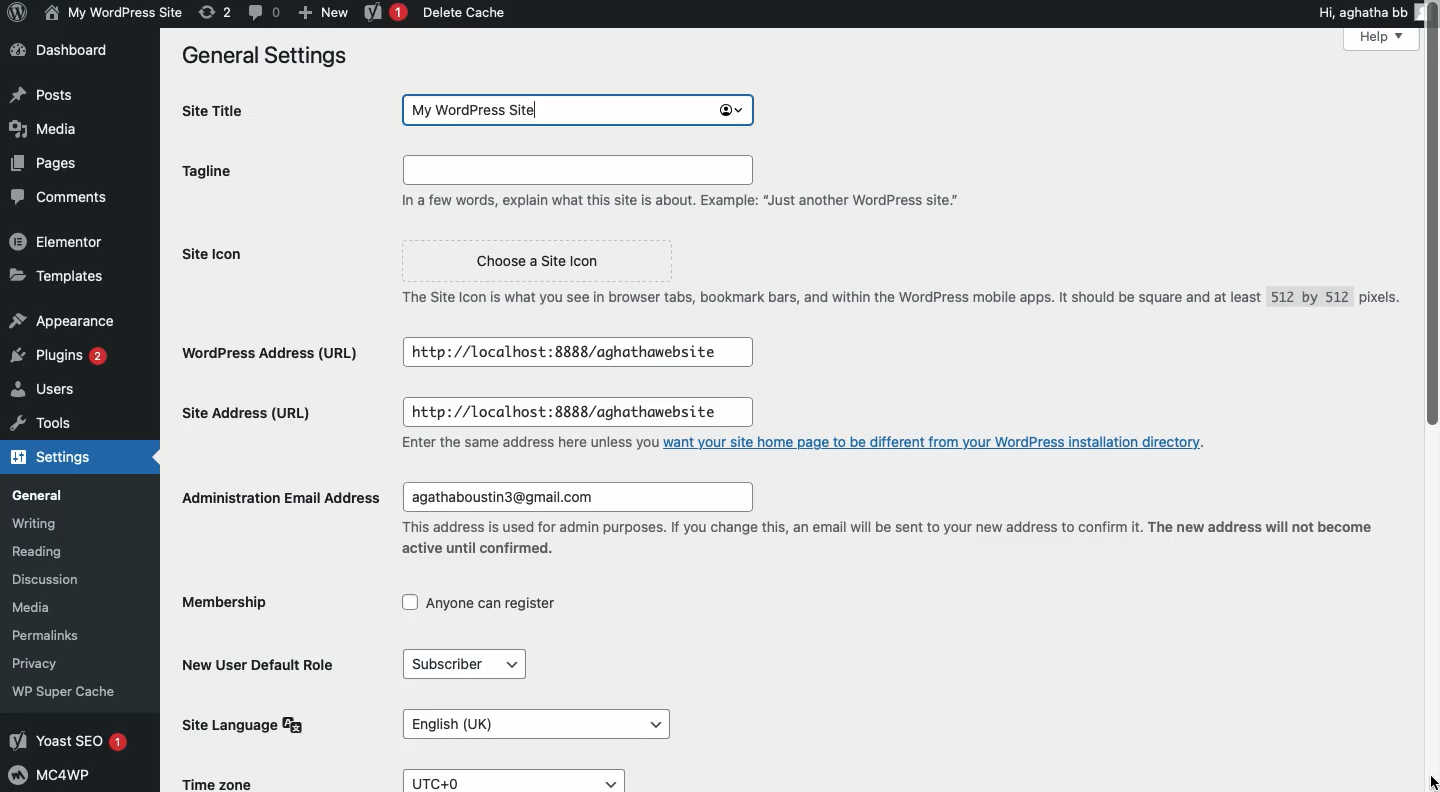 The height and width of the screenshot is (792, 1440). I want to click on In a few words, explain what this site is about. Example: “Just another WordPress site.", so click(674, 207).